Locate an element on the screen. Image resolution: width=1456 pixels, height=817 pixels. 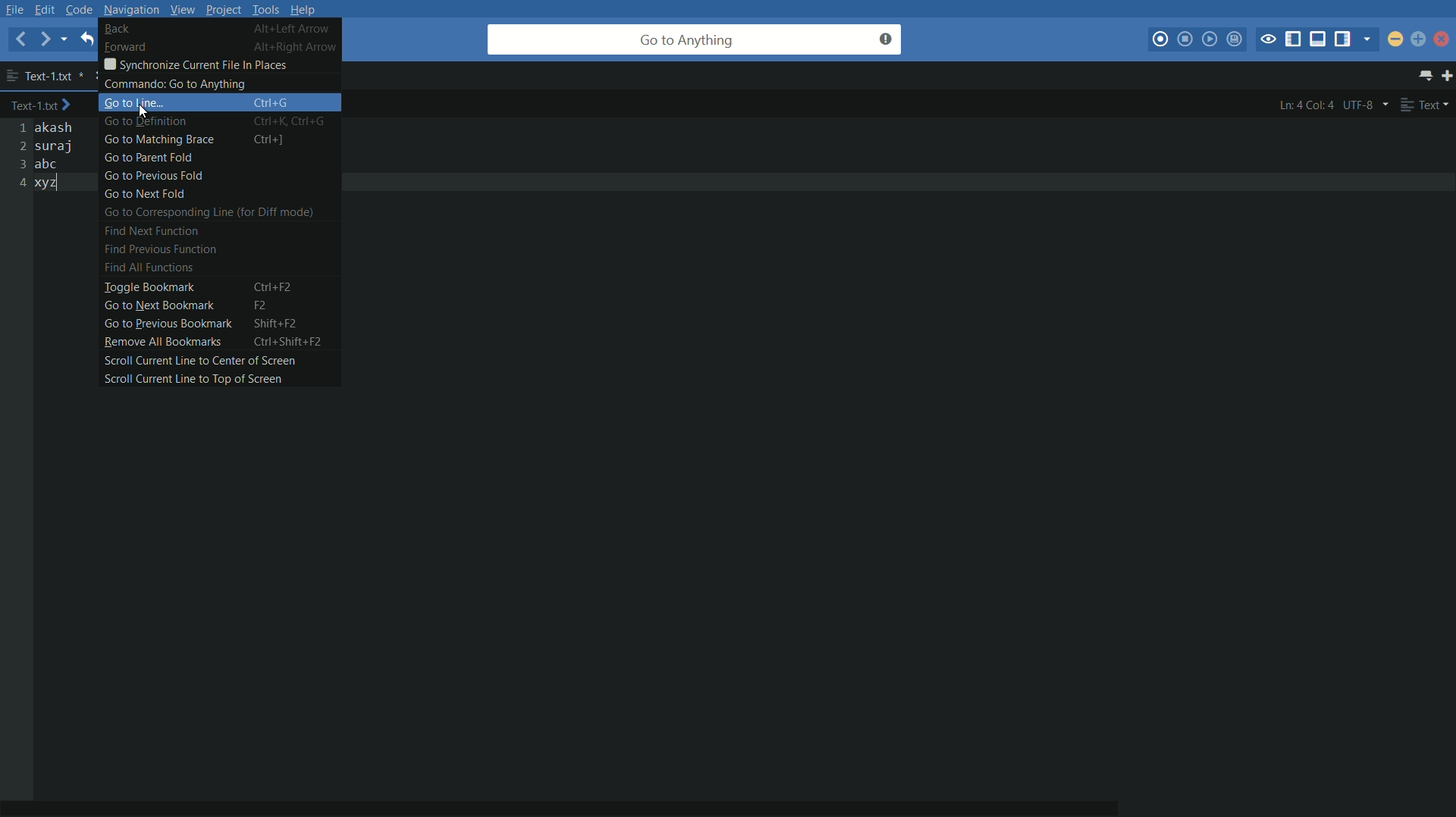
forward is located at coordinates (124, 46).